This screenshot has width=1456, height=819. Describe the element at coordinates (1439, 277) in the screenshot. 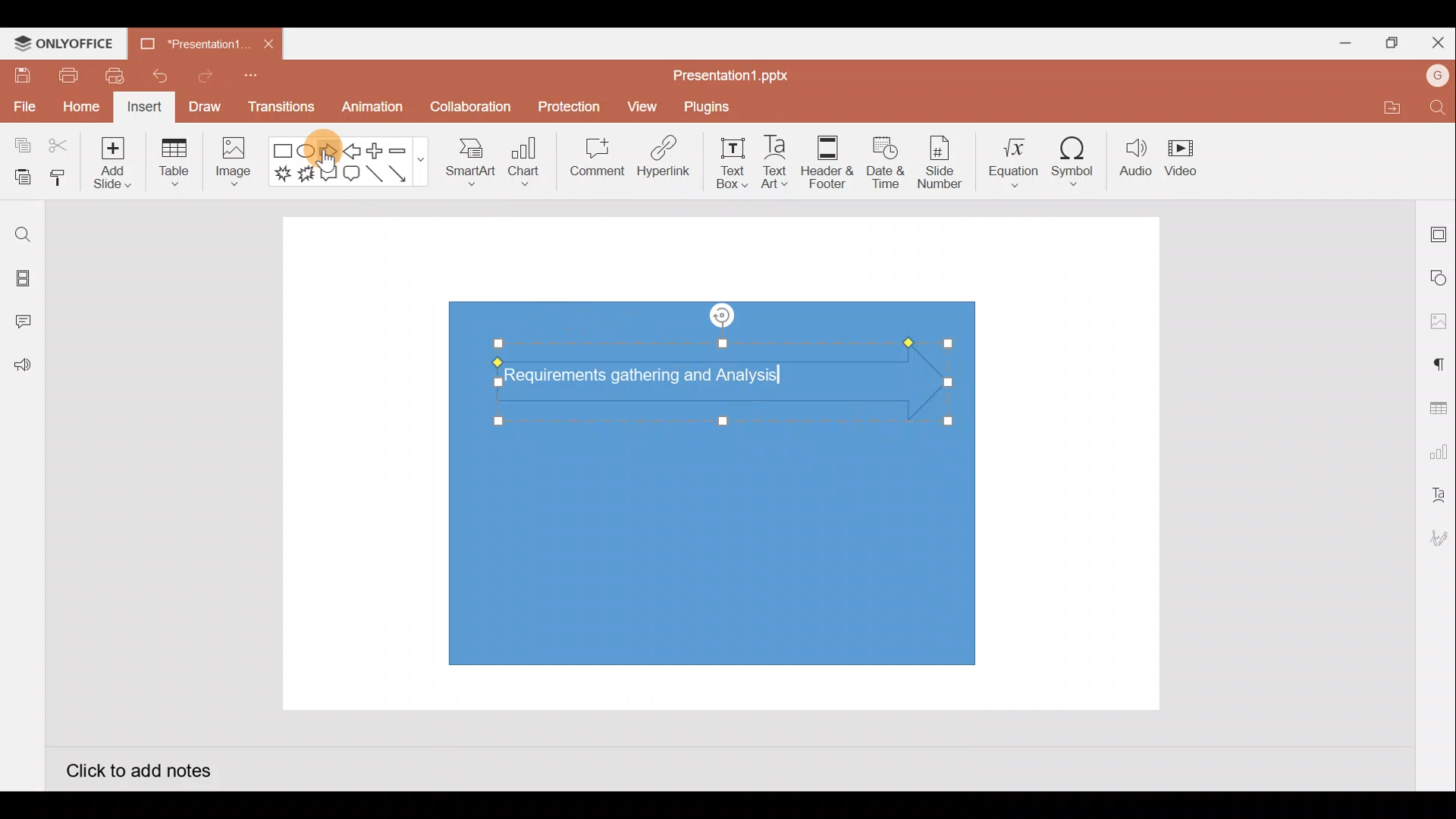

I see `Shape settings` at that location.